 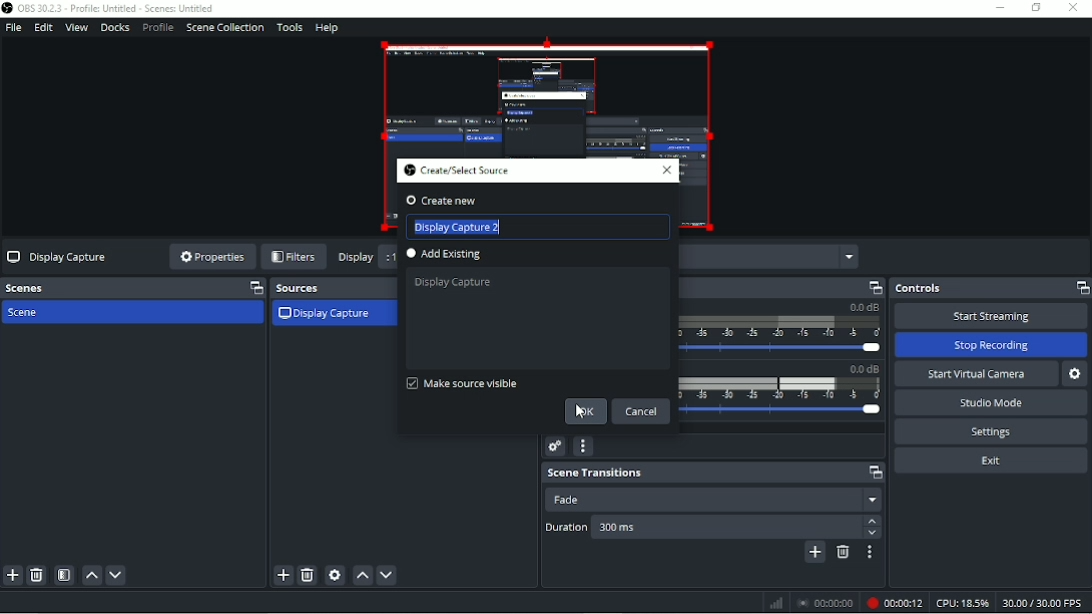 I want to click on OBS 30.2.3 - Profile: Untitled - Scenes: Untitled, so click(x=114, y=8).